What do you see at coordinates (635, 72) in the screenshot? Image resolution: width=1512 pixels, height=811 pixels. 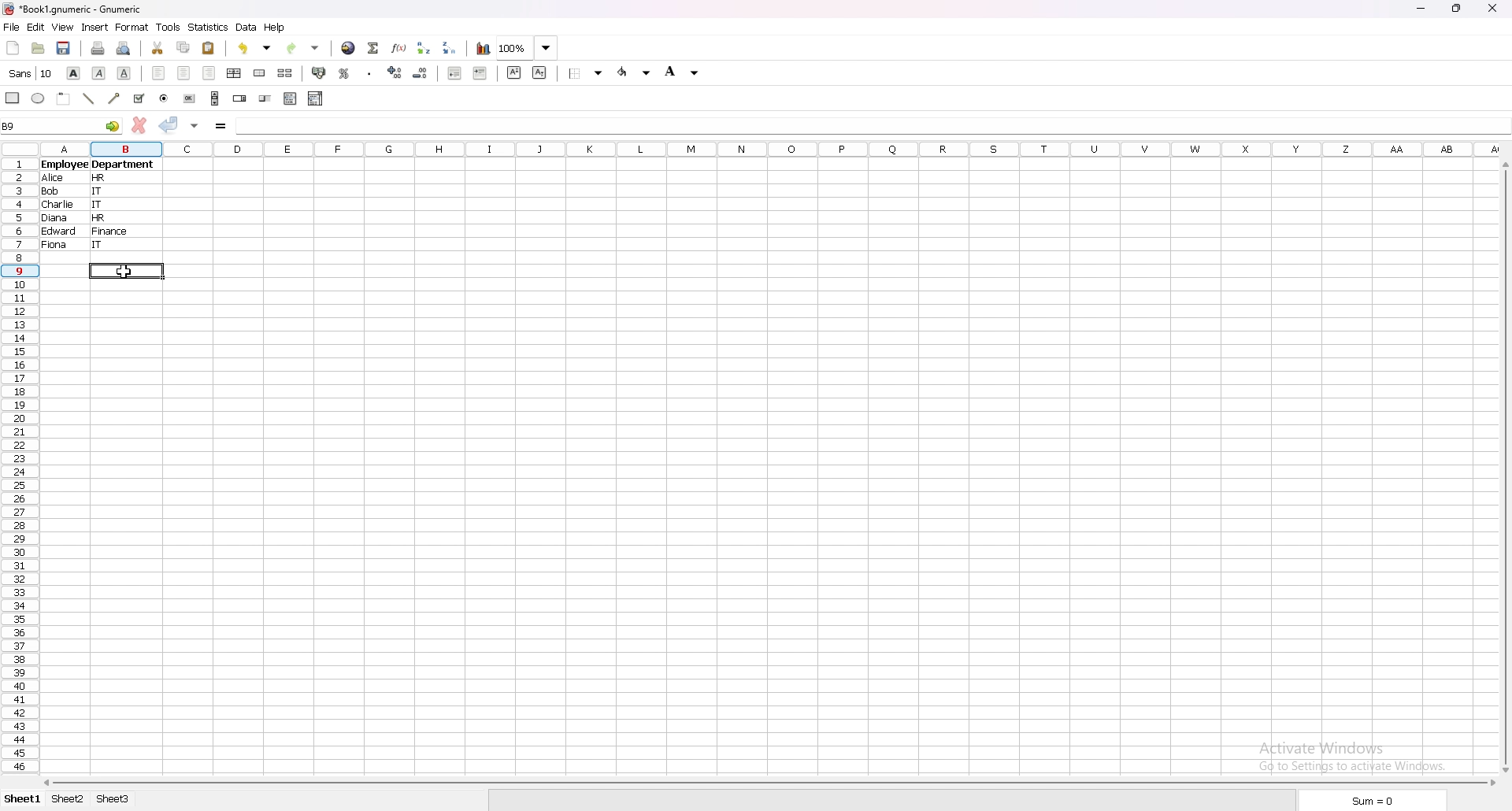 I see `foreground` at bounding box center [635, 72].